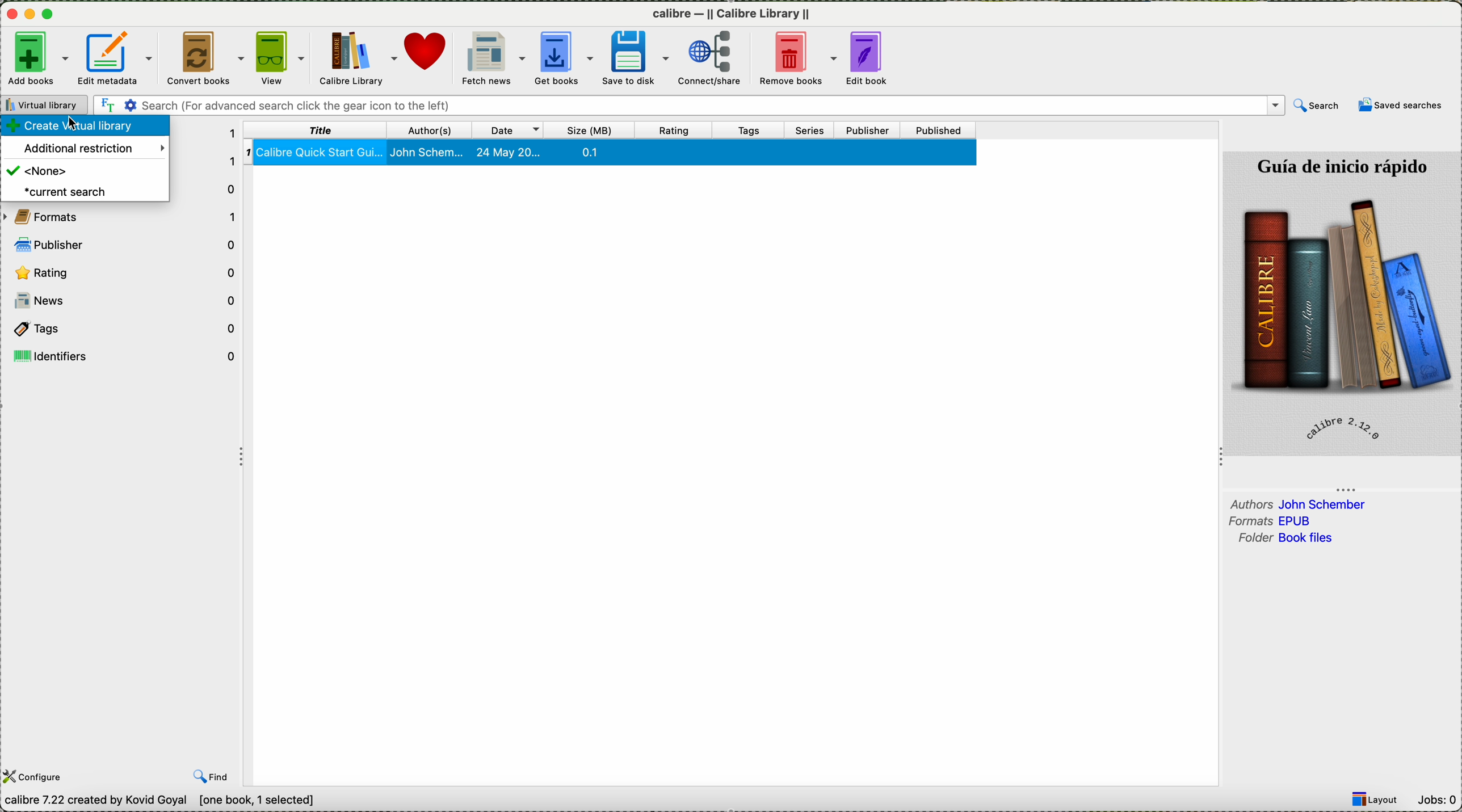 This screenshot has width=1462, height=812. I want to click on folder , so click(1283, 538).